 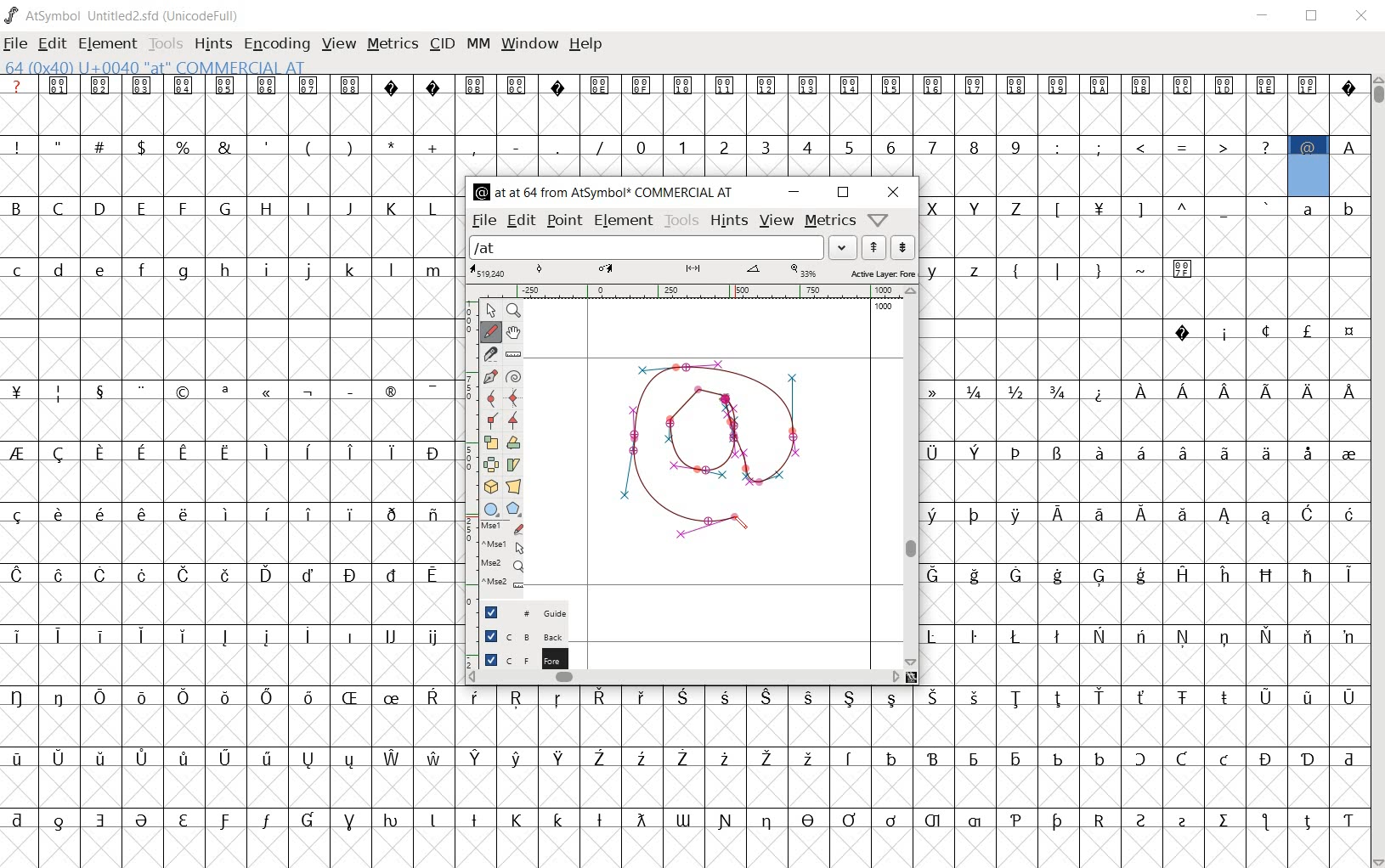 I want to click on WINDOW, so click(x=532, y=42).